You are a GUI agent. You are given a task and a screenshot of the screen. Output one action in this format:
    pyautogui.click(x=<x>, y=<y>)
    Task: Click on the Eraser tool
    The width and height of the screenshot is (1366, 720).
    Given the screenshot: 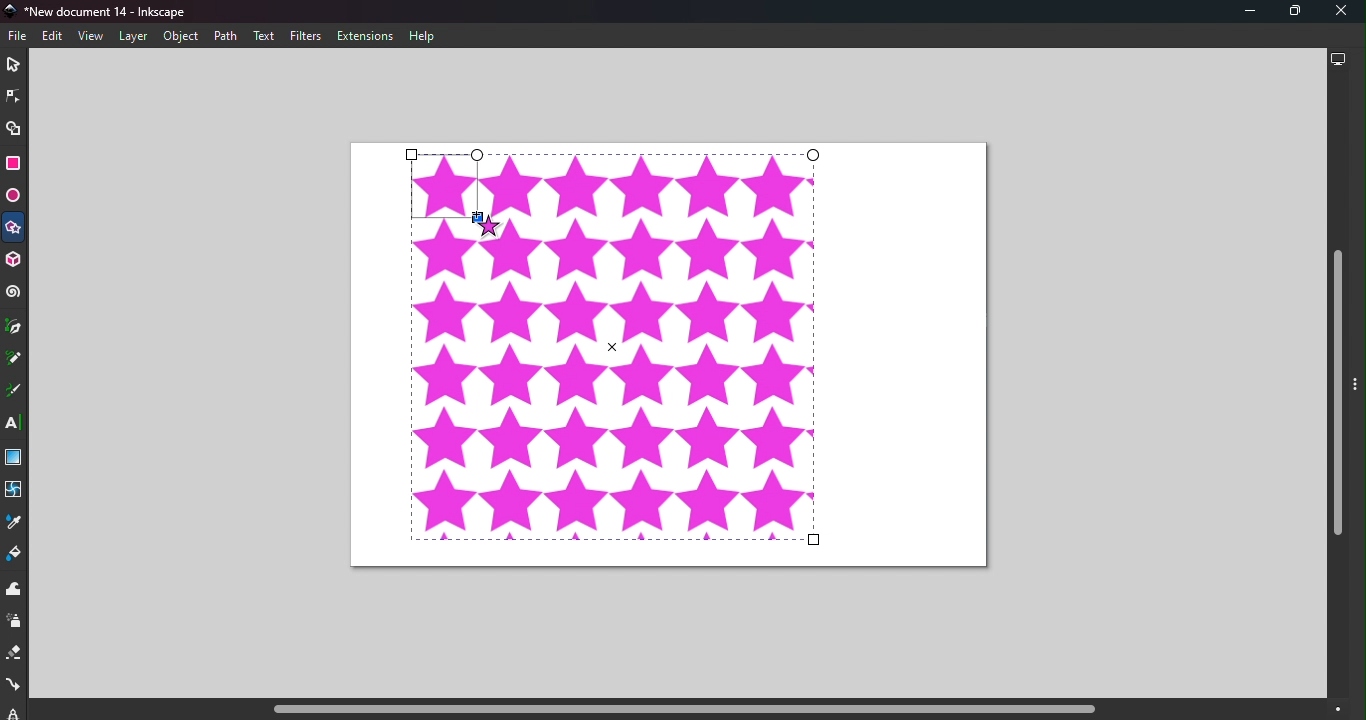 What is the action you would take?
    pyautogui.click(x=13, y=657)
    